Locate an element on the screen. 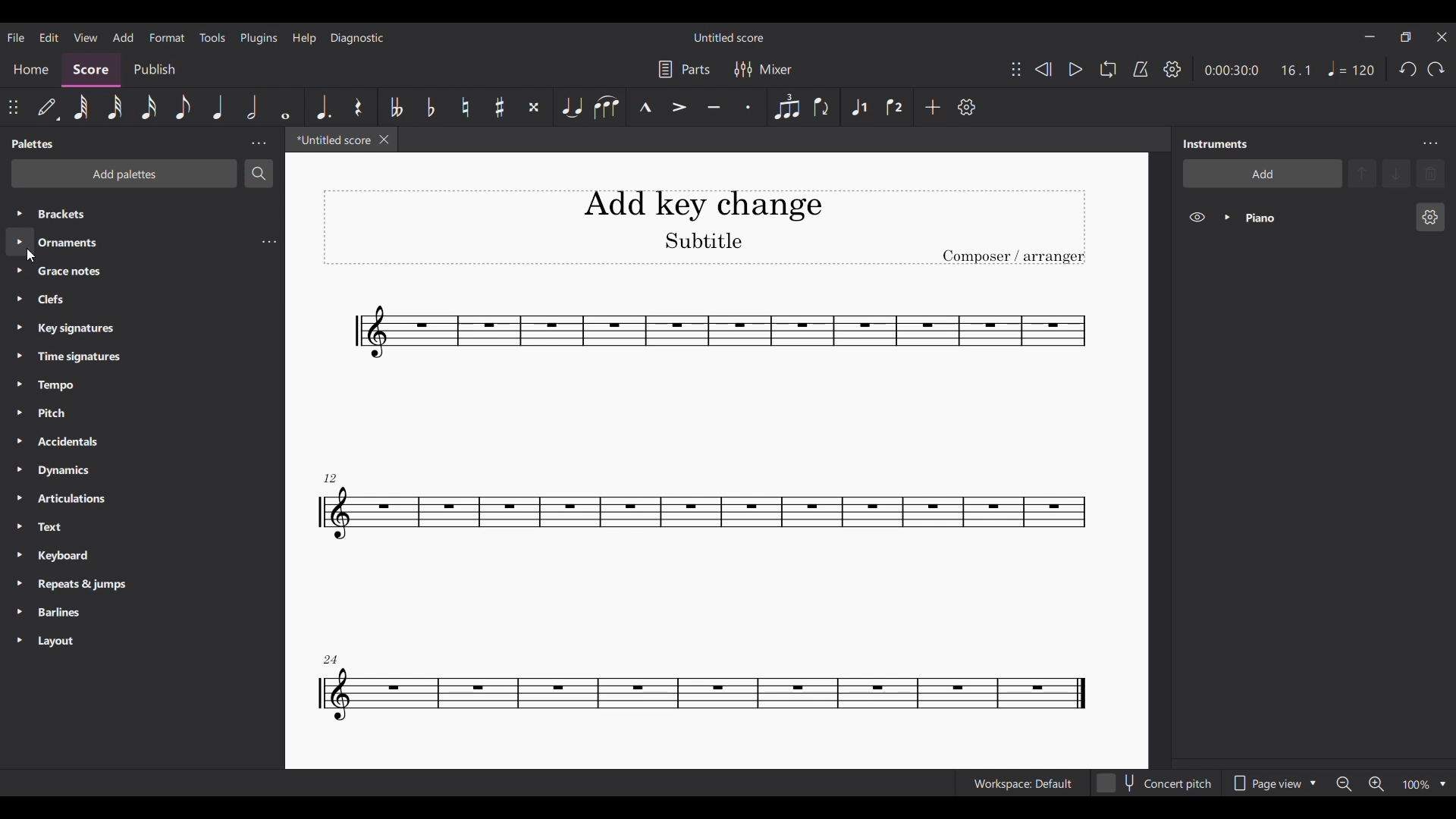  Augmentation dot is located at coordinates (323, 107).